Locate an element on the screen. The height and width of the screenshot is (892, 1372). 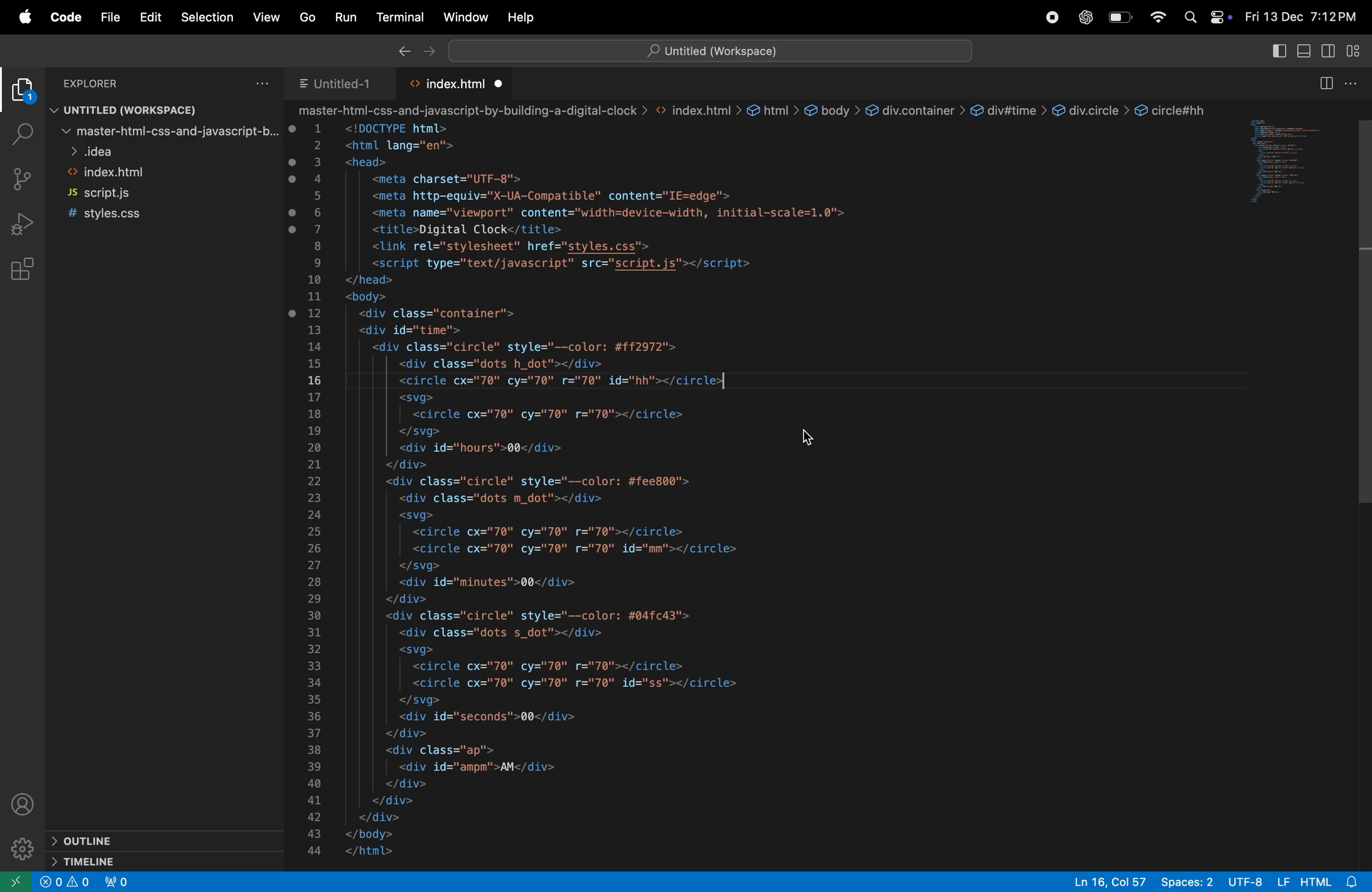
options is located at coordinates (1353, 84).